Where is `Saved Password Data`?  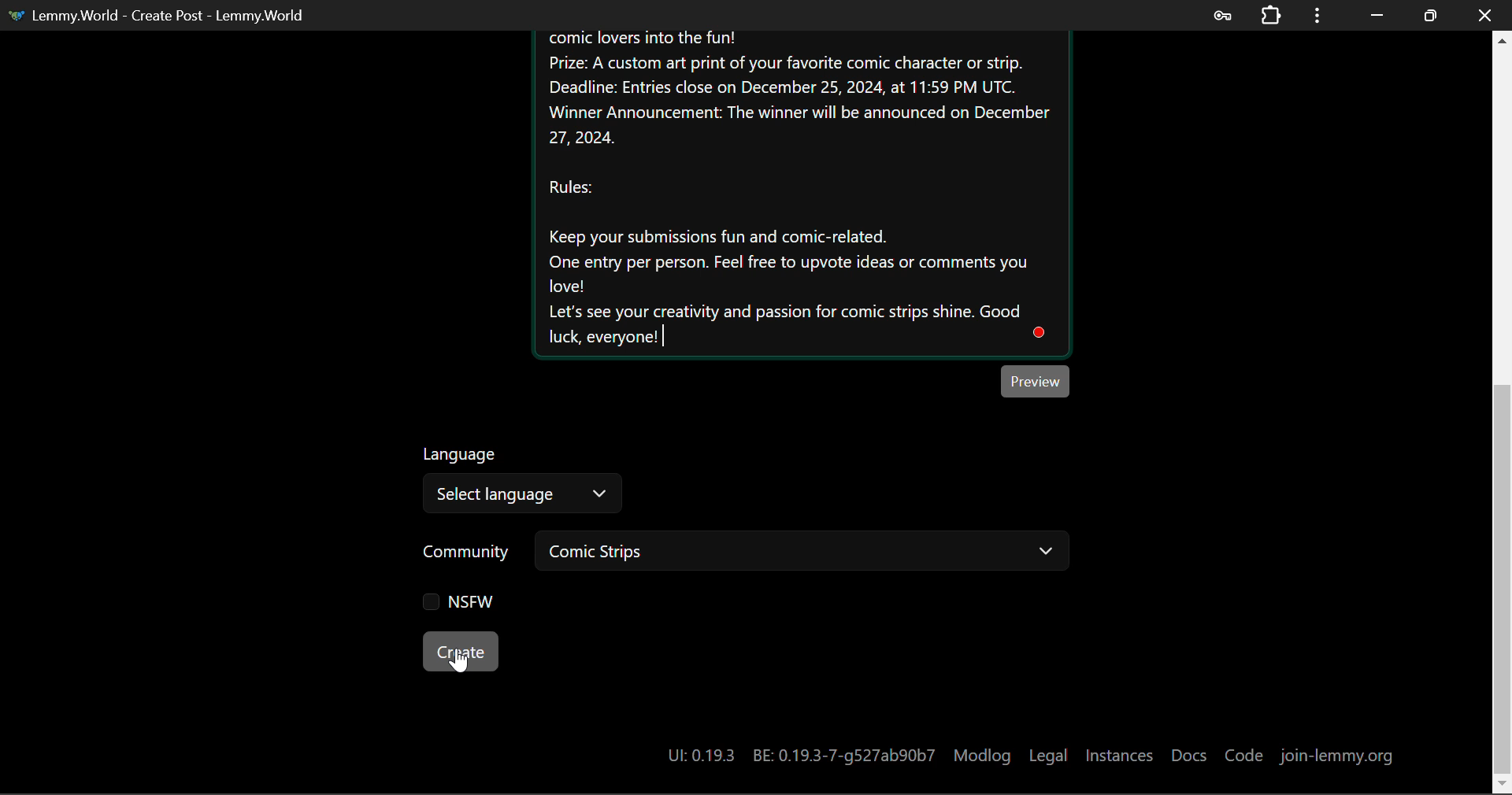 Saved Password Data is located at coordinates (1221, 15).